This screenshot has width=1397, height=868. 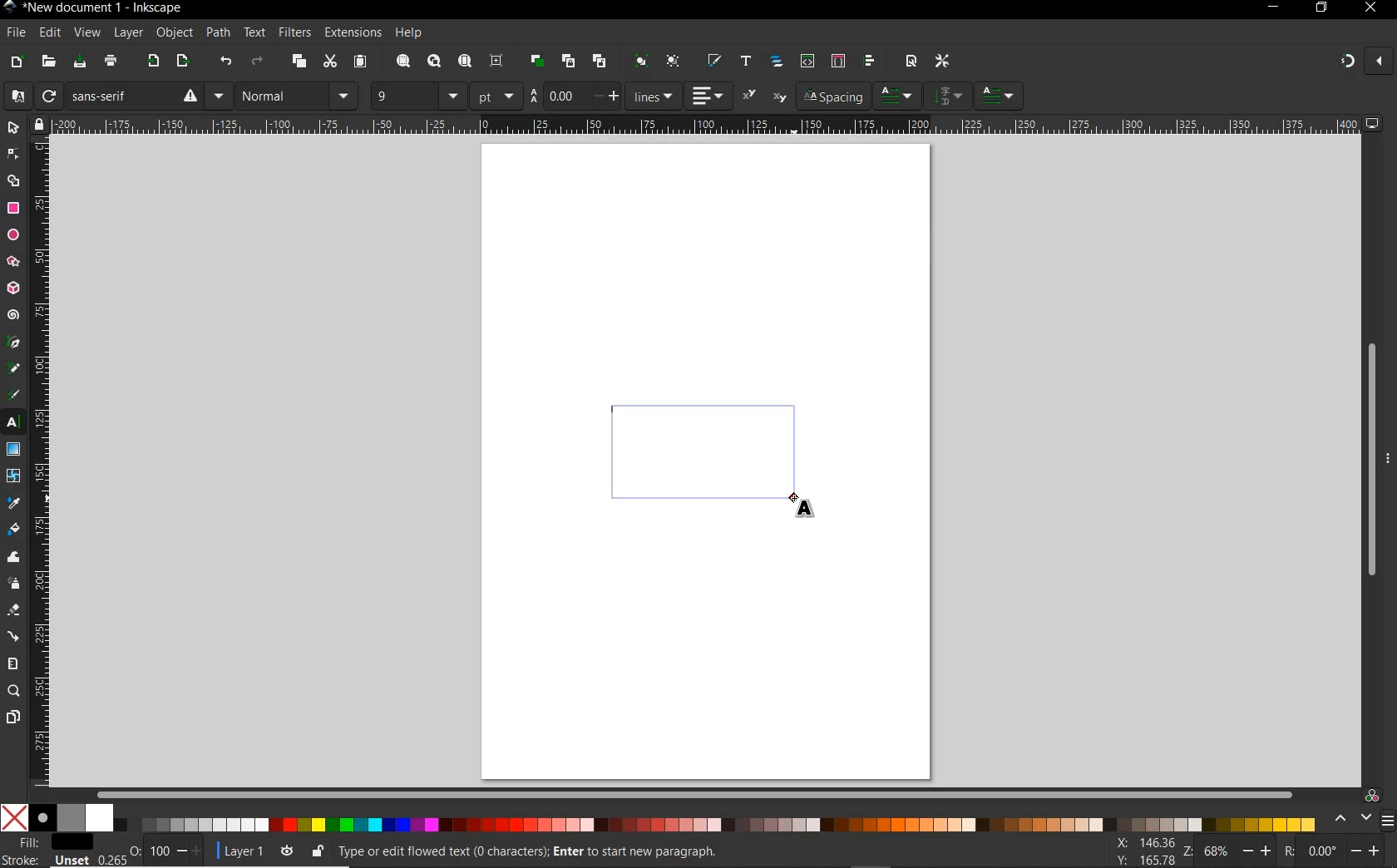 What do you see at coordinates (13, 290) in the screenshot?
I see `3d box tool` at bounding box center [13, 290].